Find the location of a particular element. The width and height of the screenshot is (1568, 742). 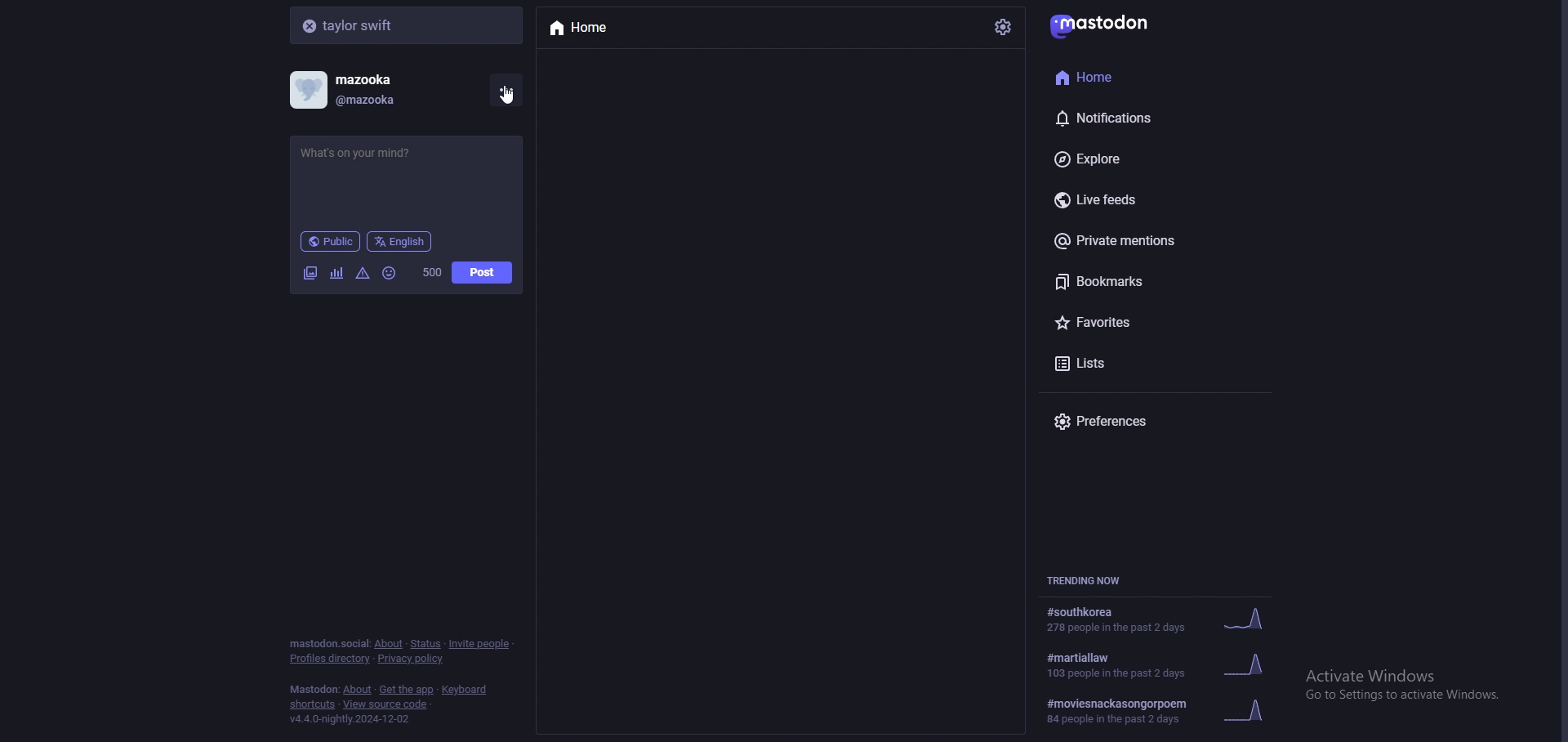

home is located at coordinates (1129, 77).